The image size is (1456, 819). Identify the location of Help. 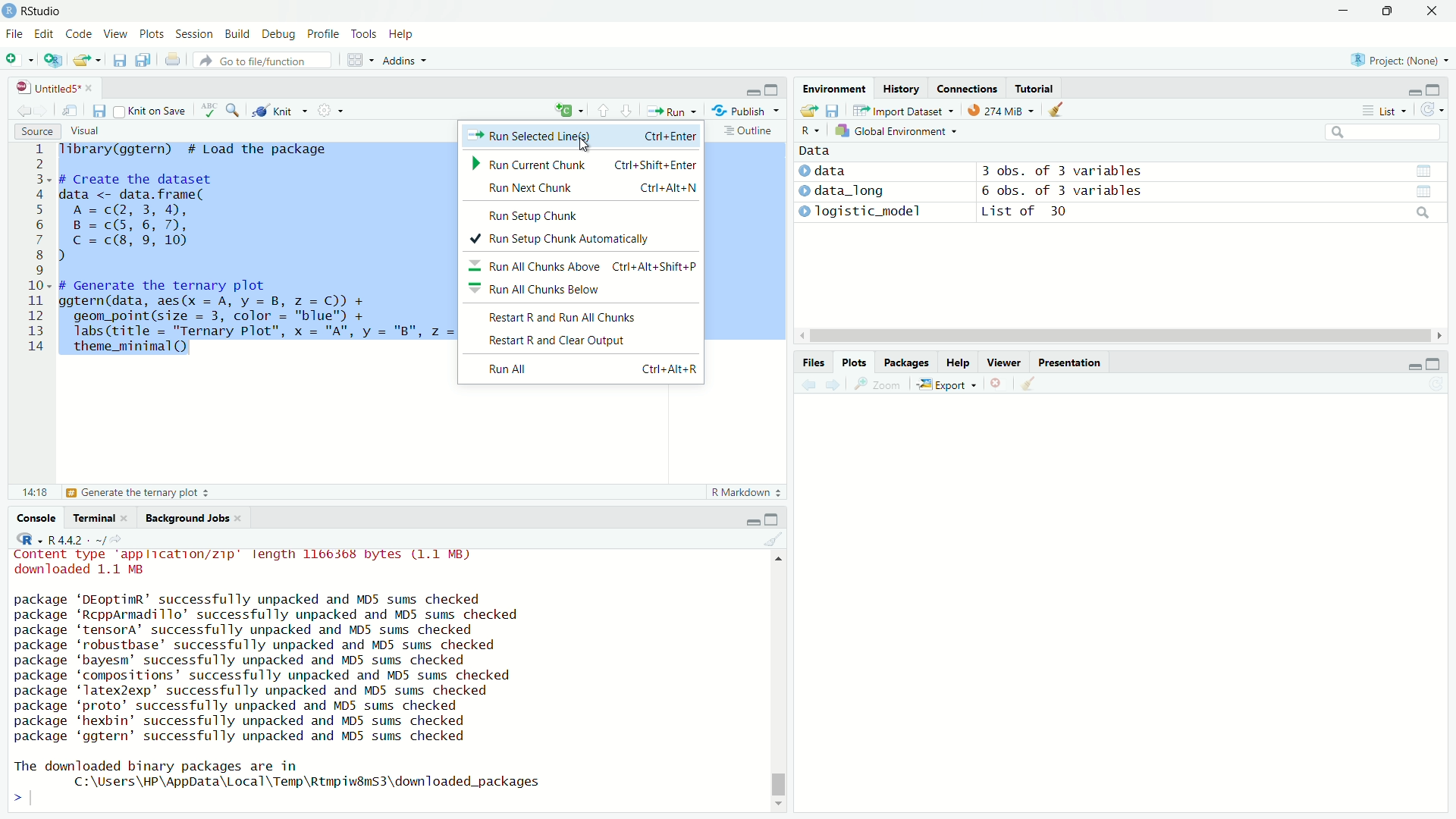
(400, 35).